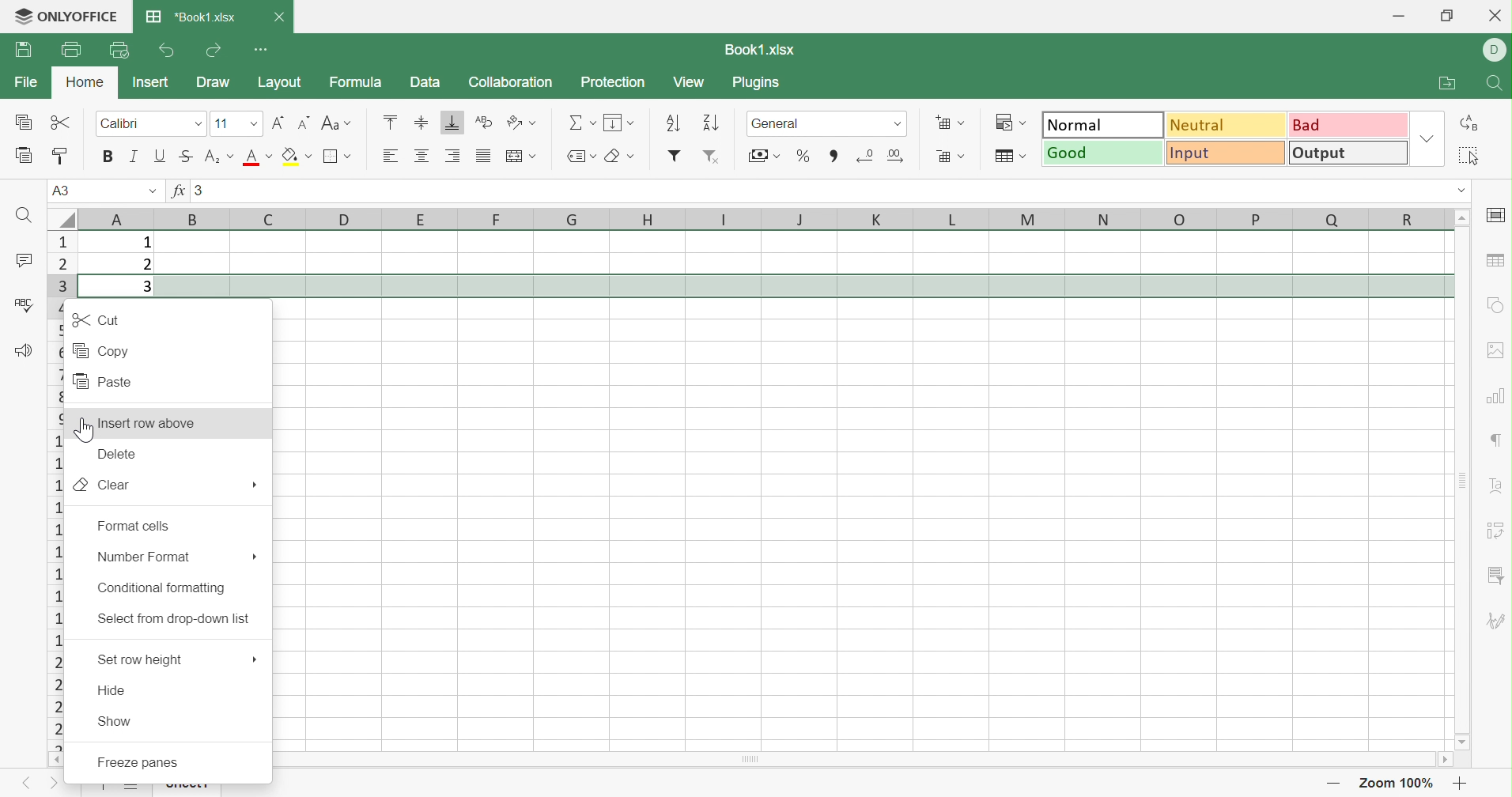 This screenshot has width=1512, height=797. Describe the element at coordinates (252, 156) in the screenshot. I see `Font color` at that location.